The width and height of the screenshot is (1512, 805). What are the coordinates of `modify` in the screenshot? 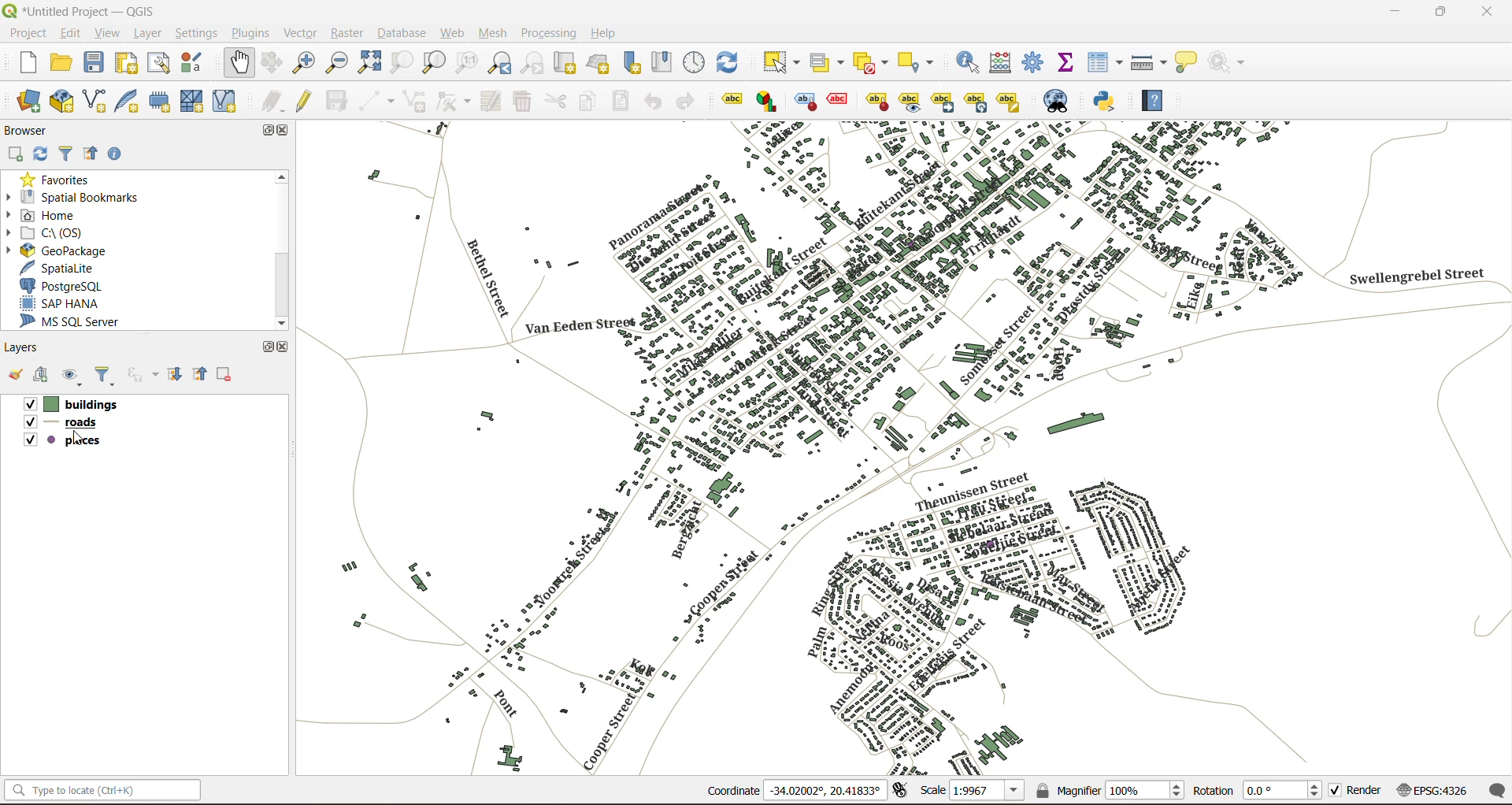 It's located at (494, 103).